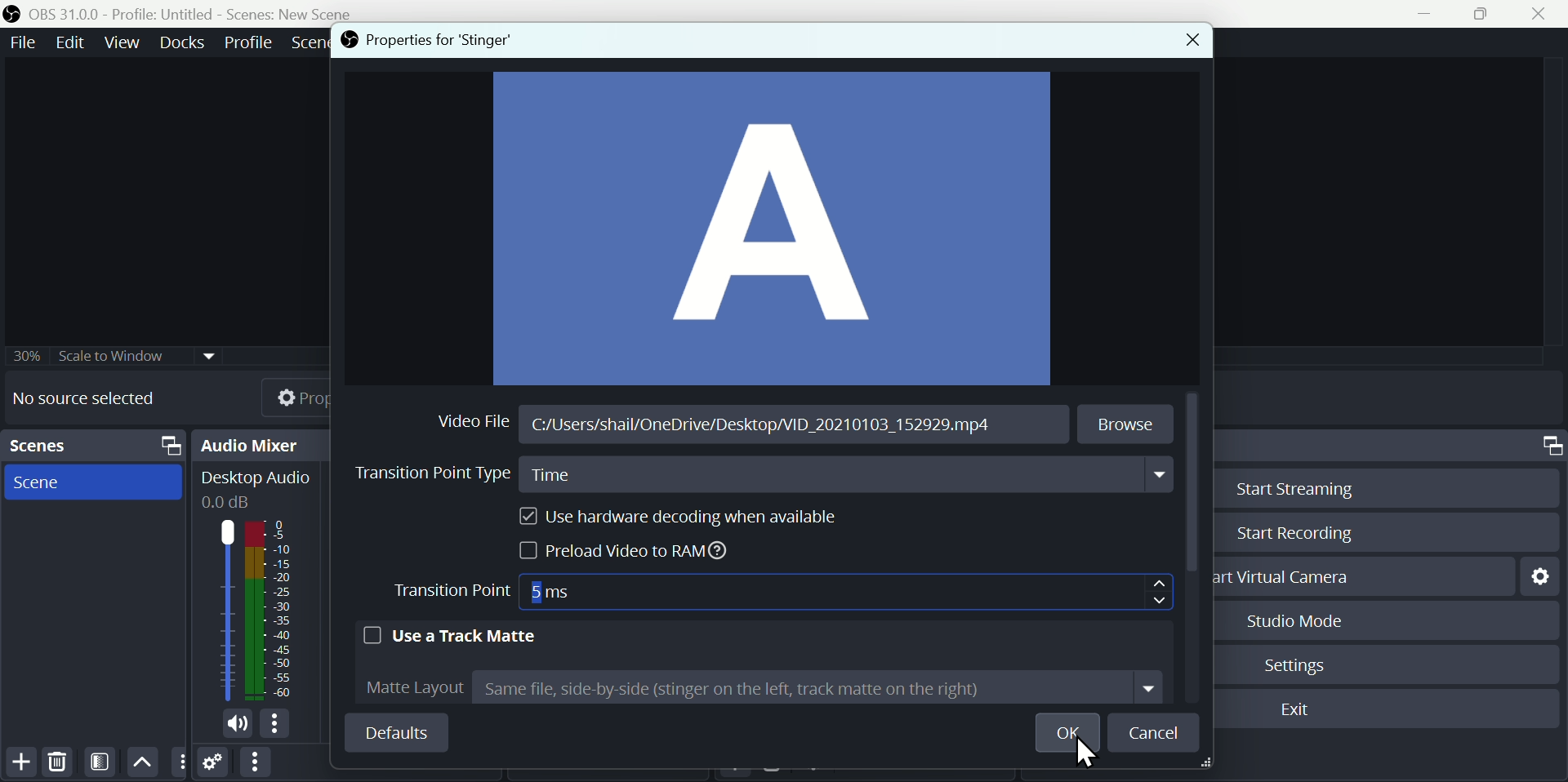 The image size is (1568, 782). Describe the element at coordinates (21, 762) in the screenshot. I see `Add` at that location.